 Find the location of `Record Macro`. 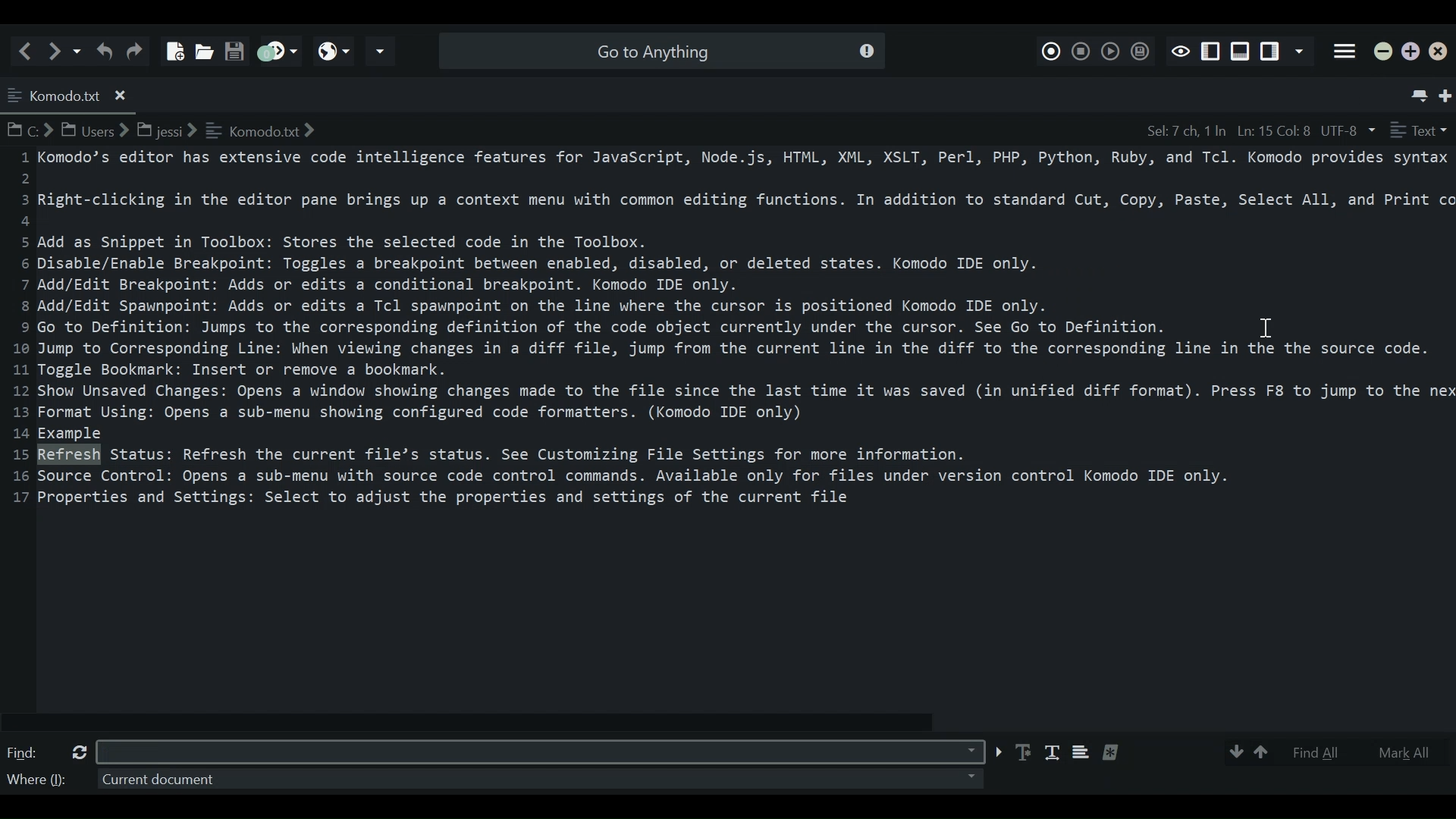

Record Macro is located at coordinates (1052, 49).